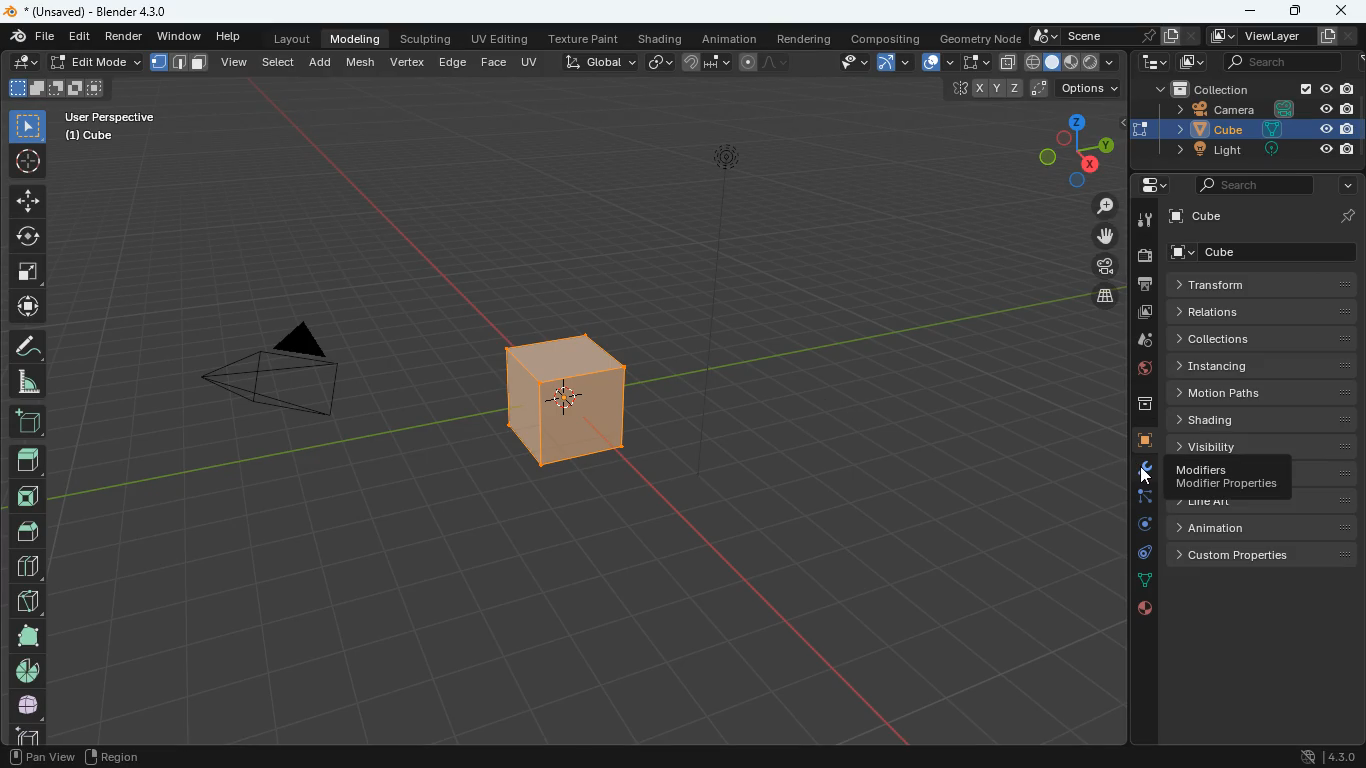 The width and height of the screenshot is (1366, 768). I want to click on diagonal, so click(27, 597).